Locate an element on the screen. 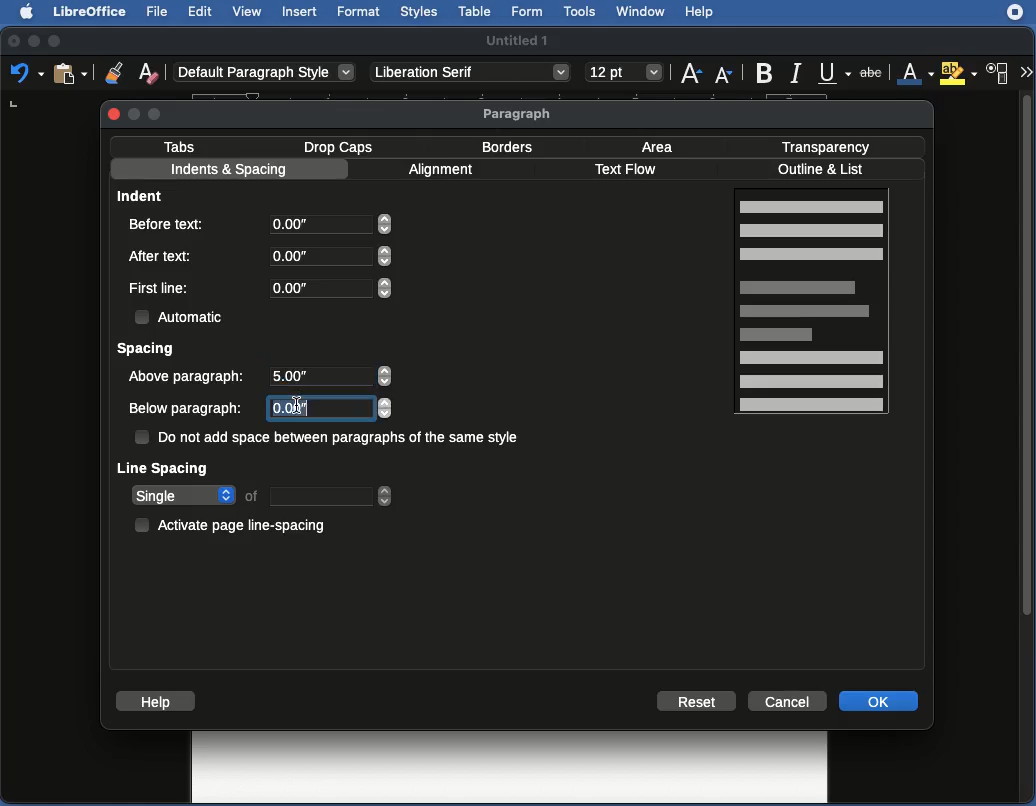  Apple logo is located at coordinates (21, 11).